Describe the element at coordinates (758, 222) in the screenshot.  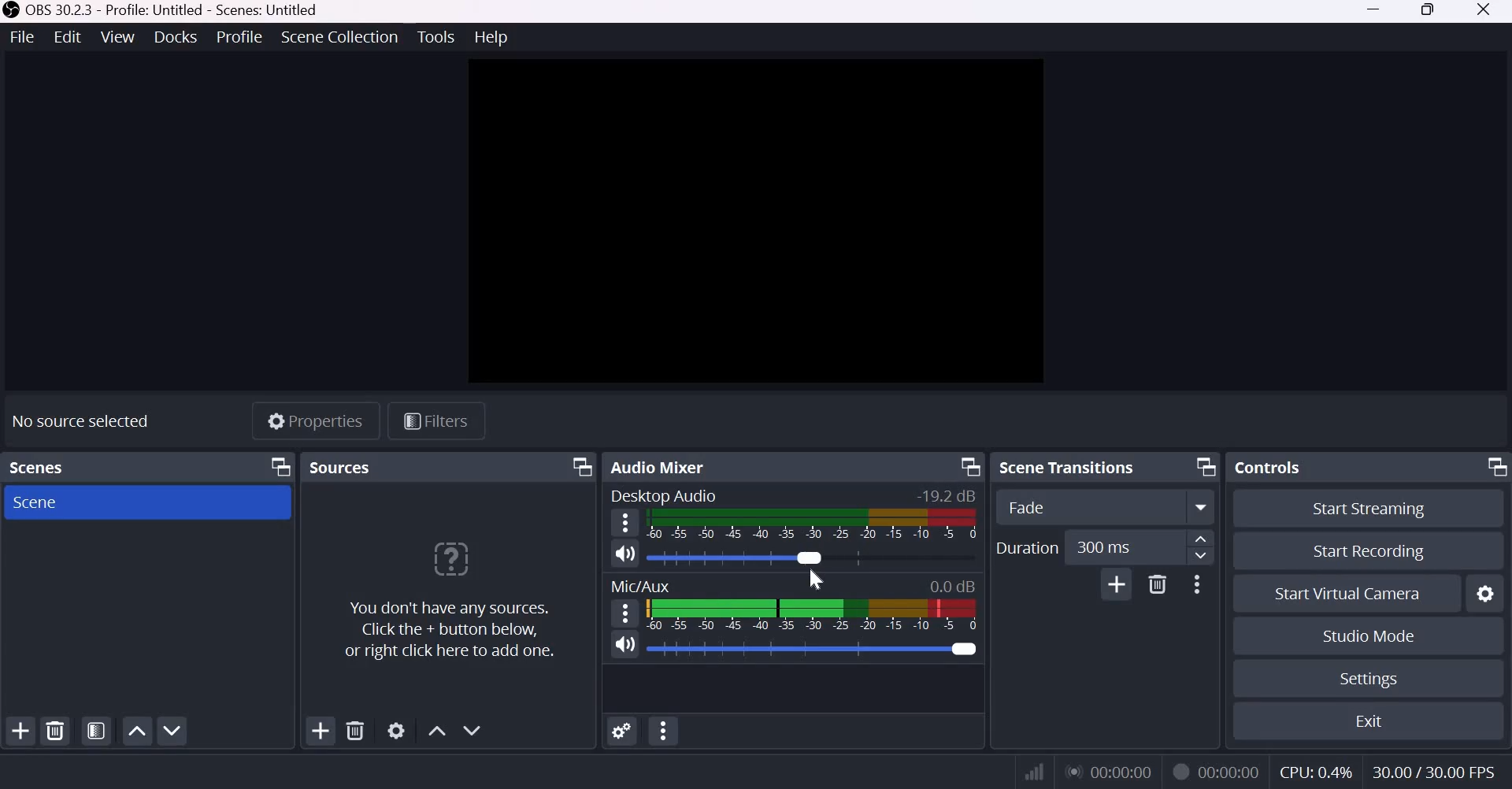
I see `canvas` at that location.